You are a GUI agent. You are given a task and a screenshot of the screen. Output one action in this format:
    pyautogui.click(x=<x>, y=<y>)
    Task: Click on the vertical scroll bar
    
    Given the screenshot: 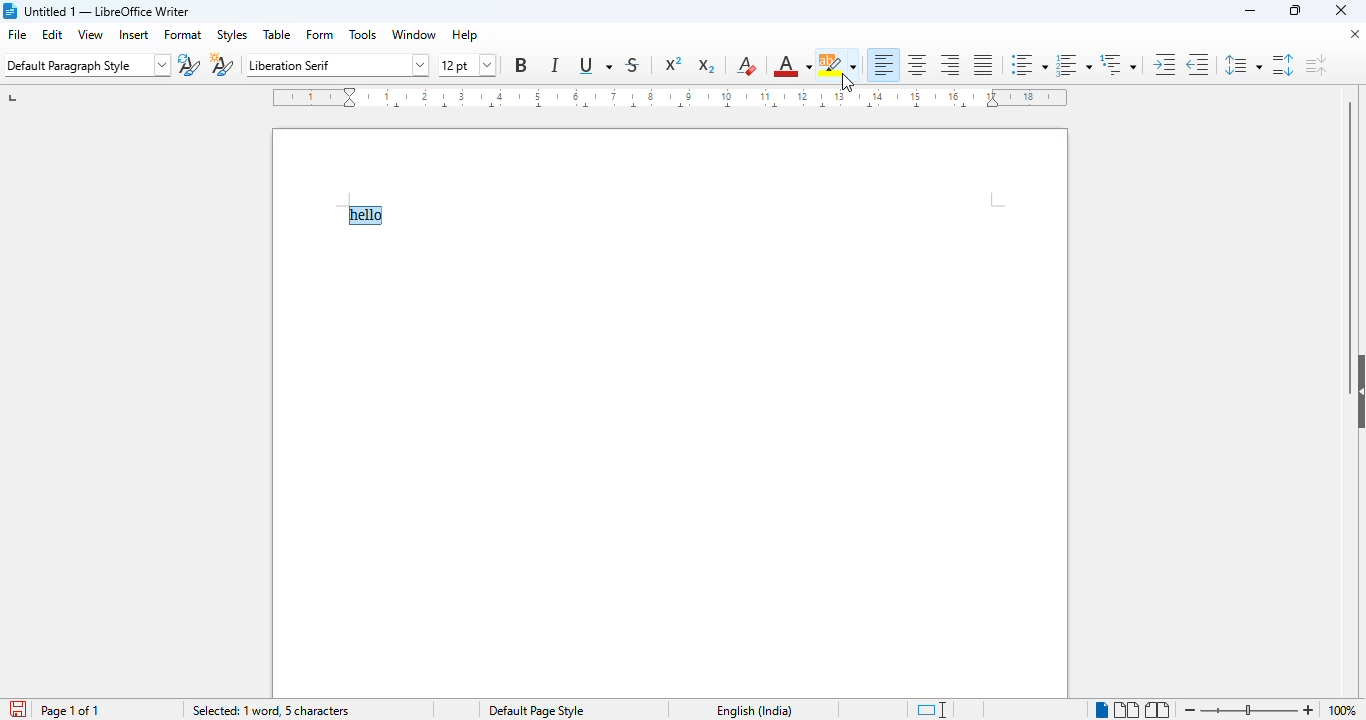 What is the action you would take?
    pyautogui.click(x=1354, y=214)
    